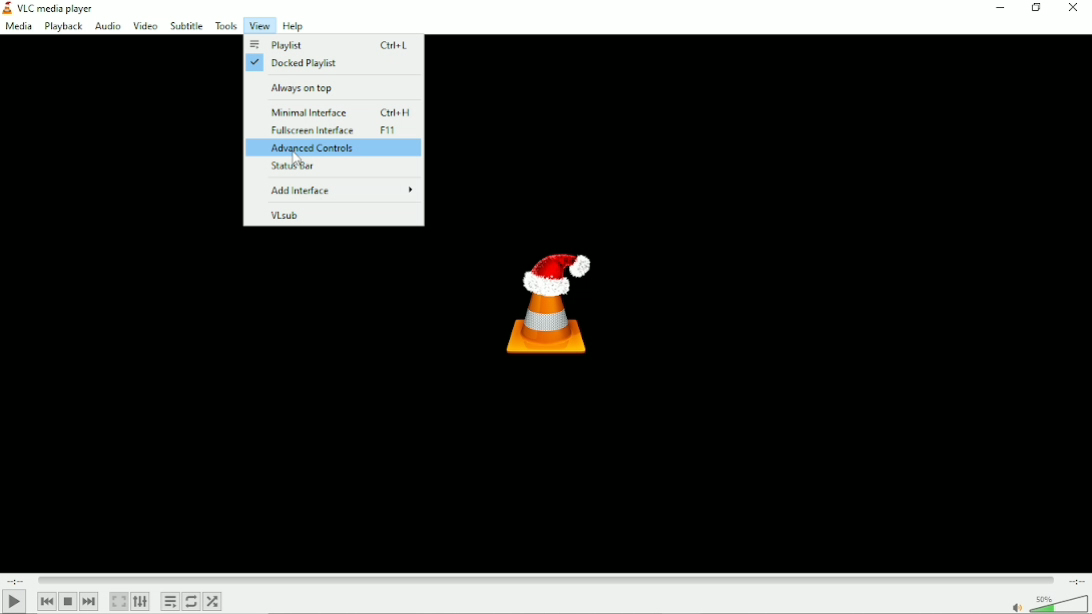  What do you see at coordinates (544, 578) in the screenshot?
I see `Play duration` at bounding box center [544, 578].